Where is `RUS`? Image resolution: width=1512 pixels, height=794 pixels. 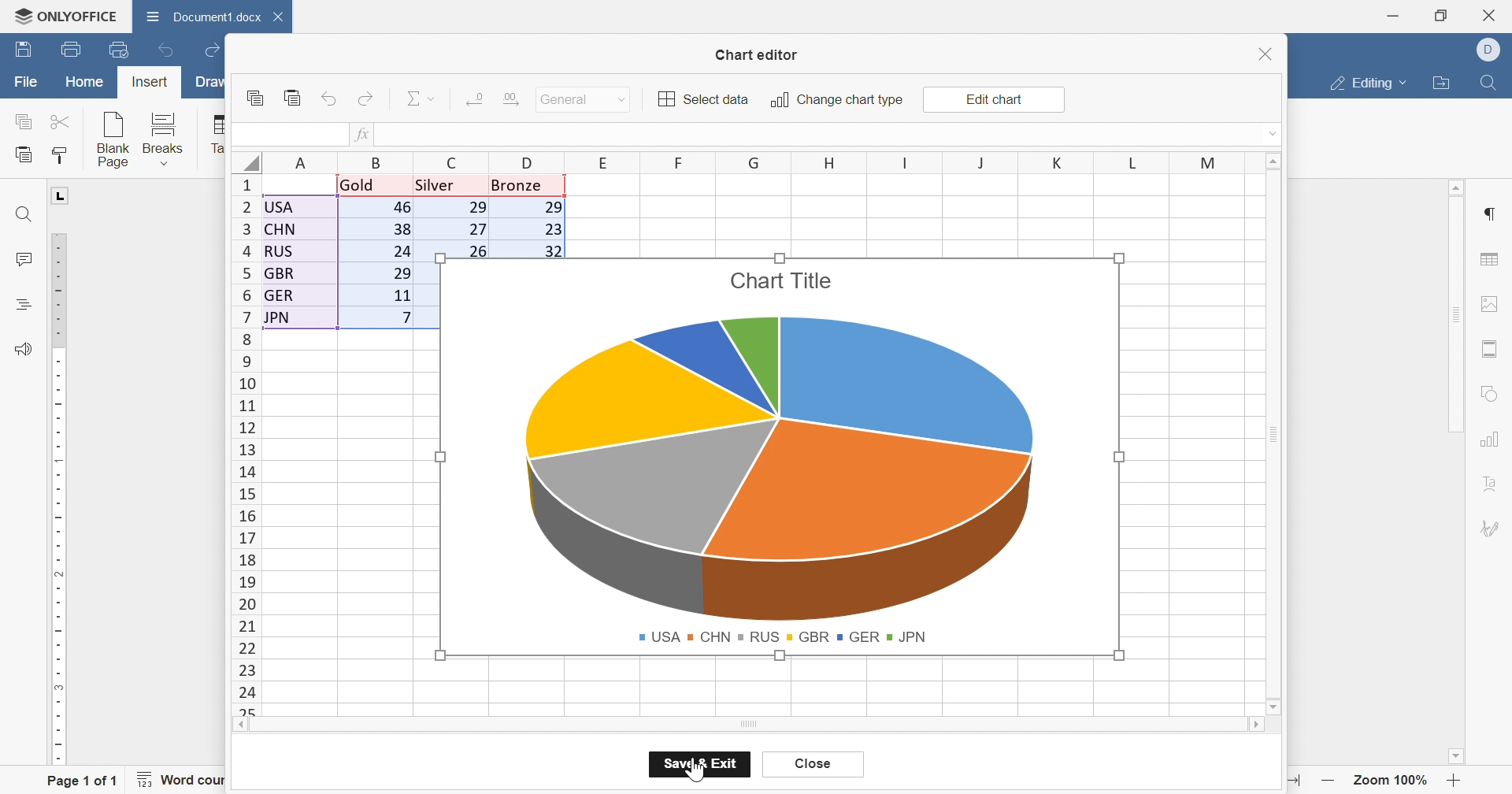
RUS is located at coordinates (281, 250).